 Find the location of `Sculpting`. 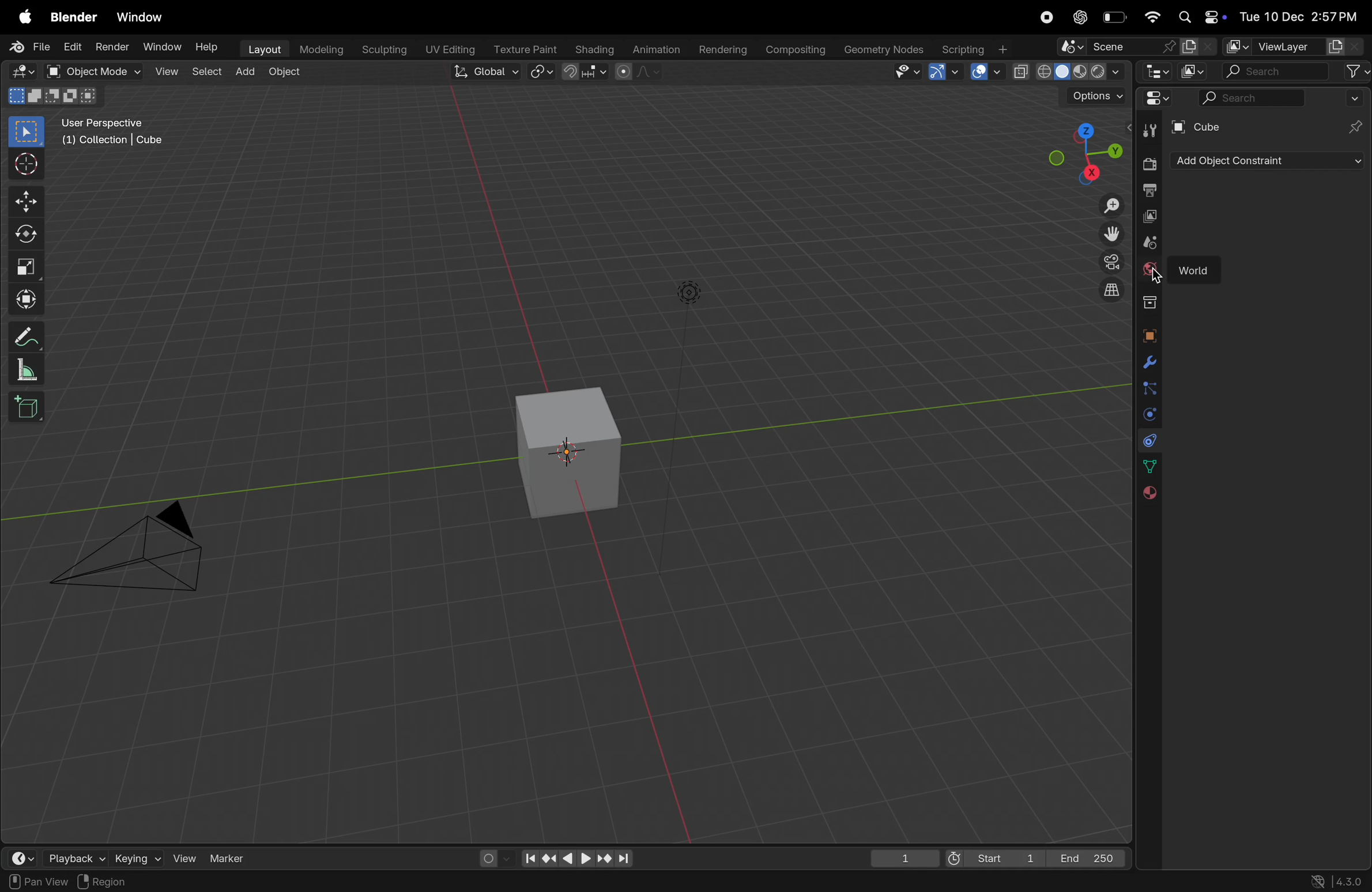

Sculpting is located at coordinates (383, 50).